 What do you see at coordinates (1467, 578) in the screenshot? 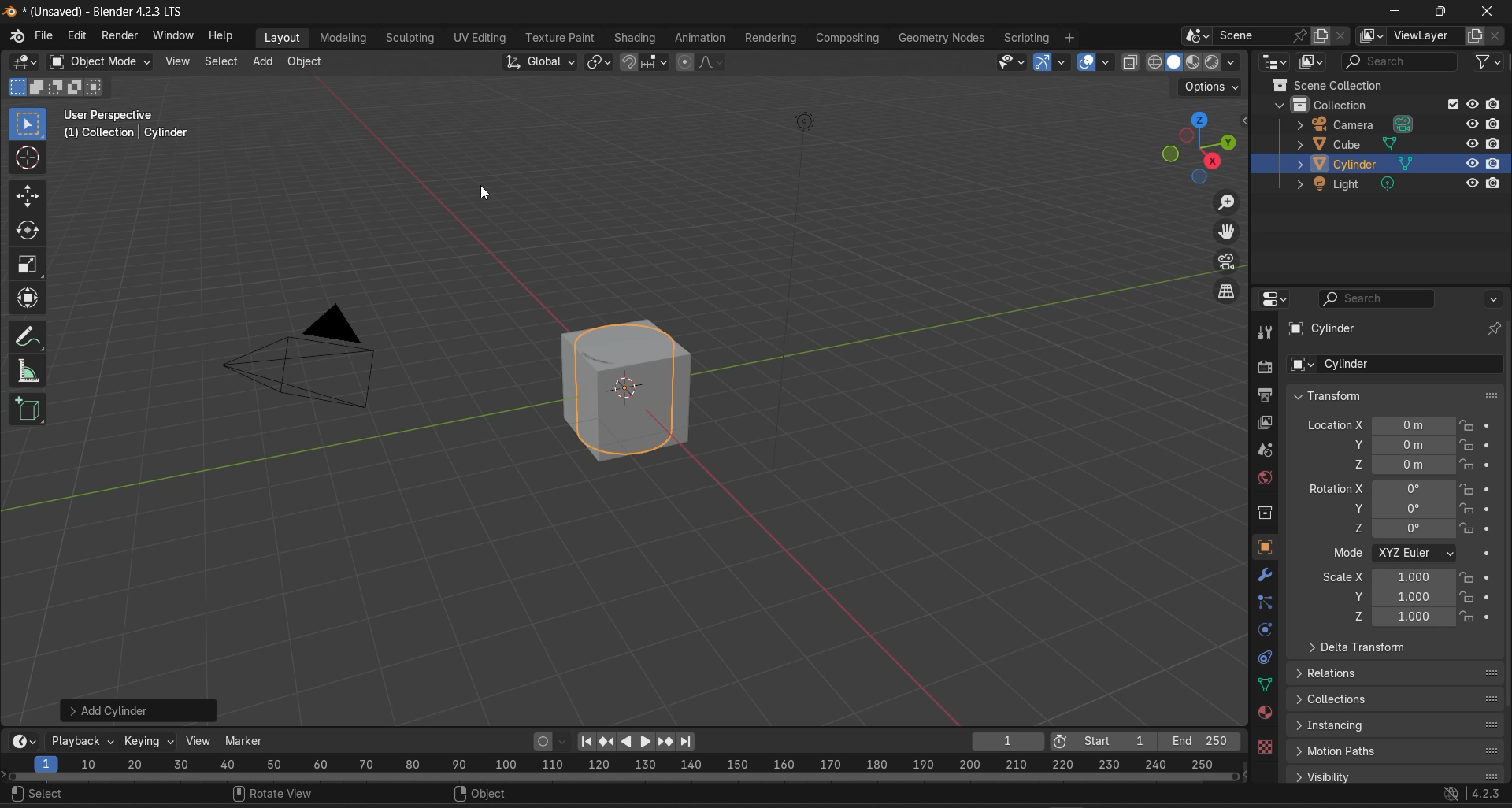
I see `lock scale` at bounding box center [1467, 578].